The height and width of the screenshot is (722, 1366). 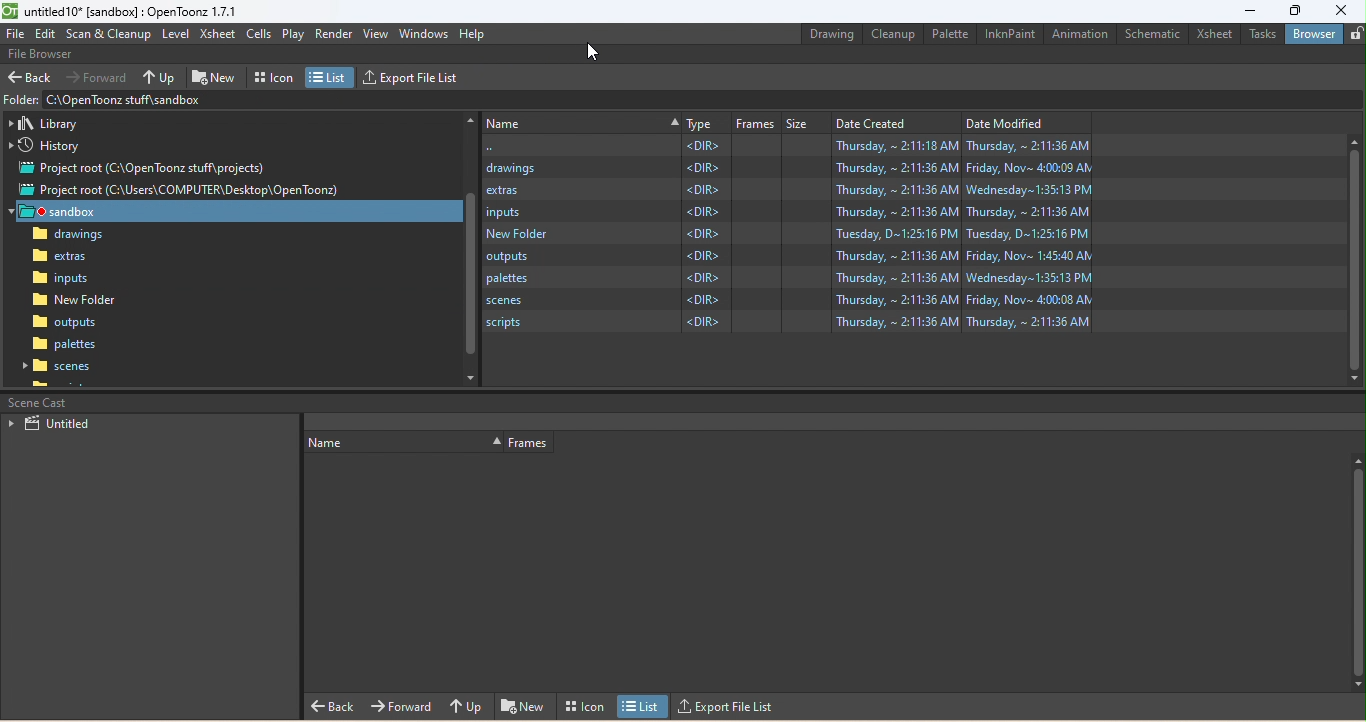 What do you see at coordinates (378, 34) in the screenshot?
I see `View` at bounding box center [378, 34].